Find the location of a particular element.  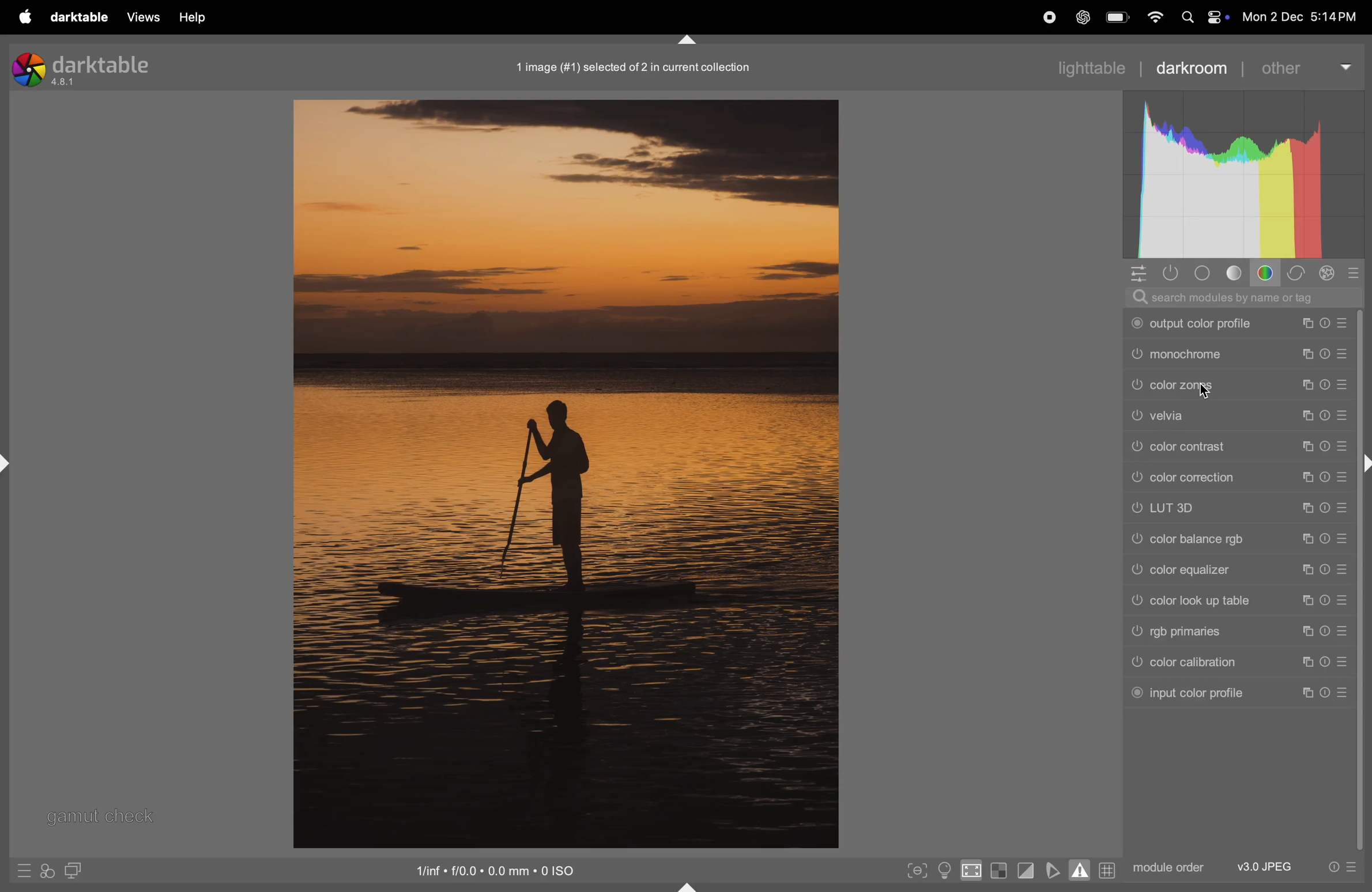

v3 jpeg is located at coordinates (1257, 865).